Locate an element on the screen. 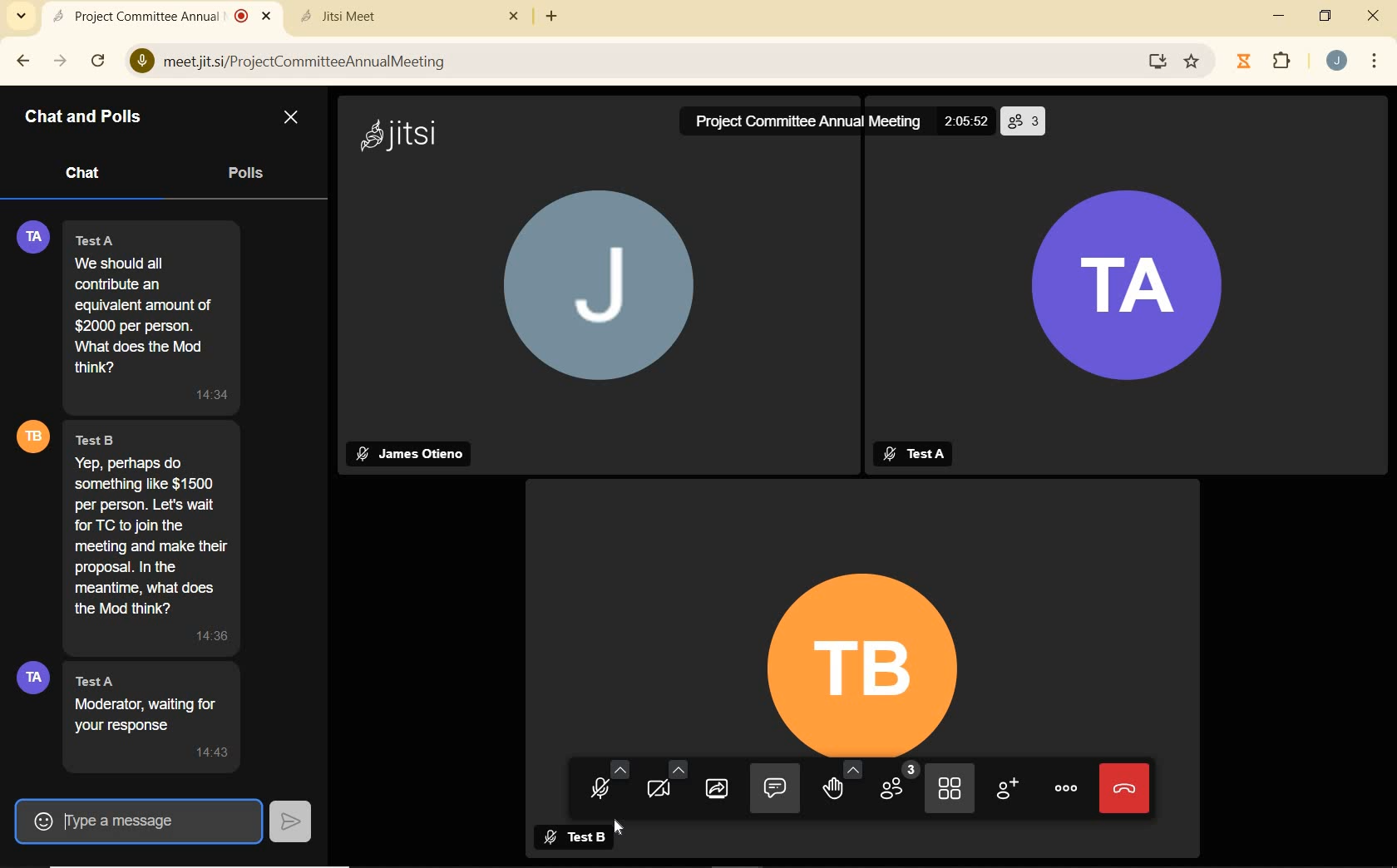 This screenshot has height=868, width=1397. restore down is located at coordinates (1325, 17).